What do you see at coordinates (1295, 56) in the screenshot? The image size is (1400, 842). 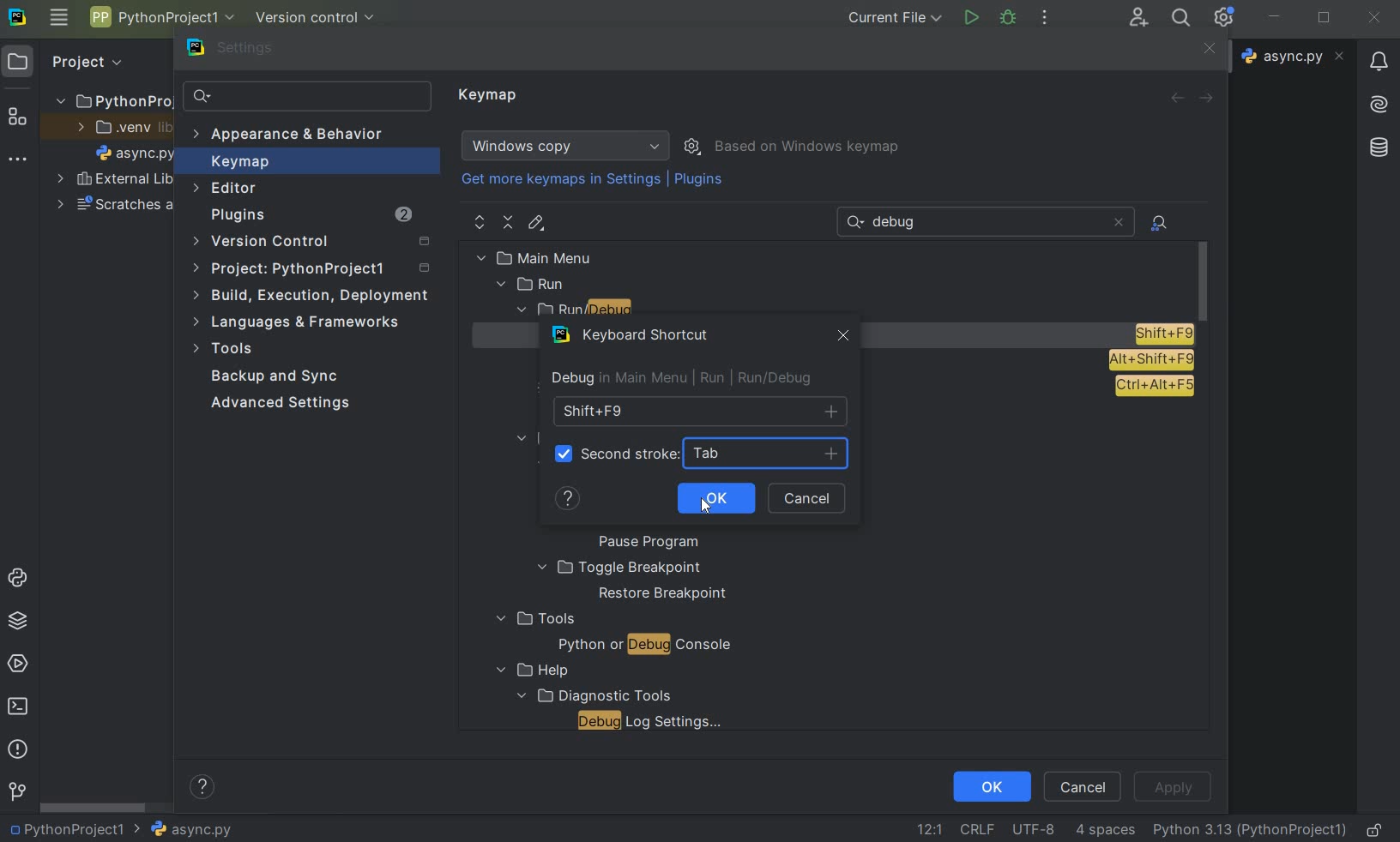 I see `file name` at bounding box center [1295, 56].